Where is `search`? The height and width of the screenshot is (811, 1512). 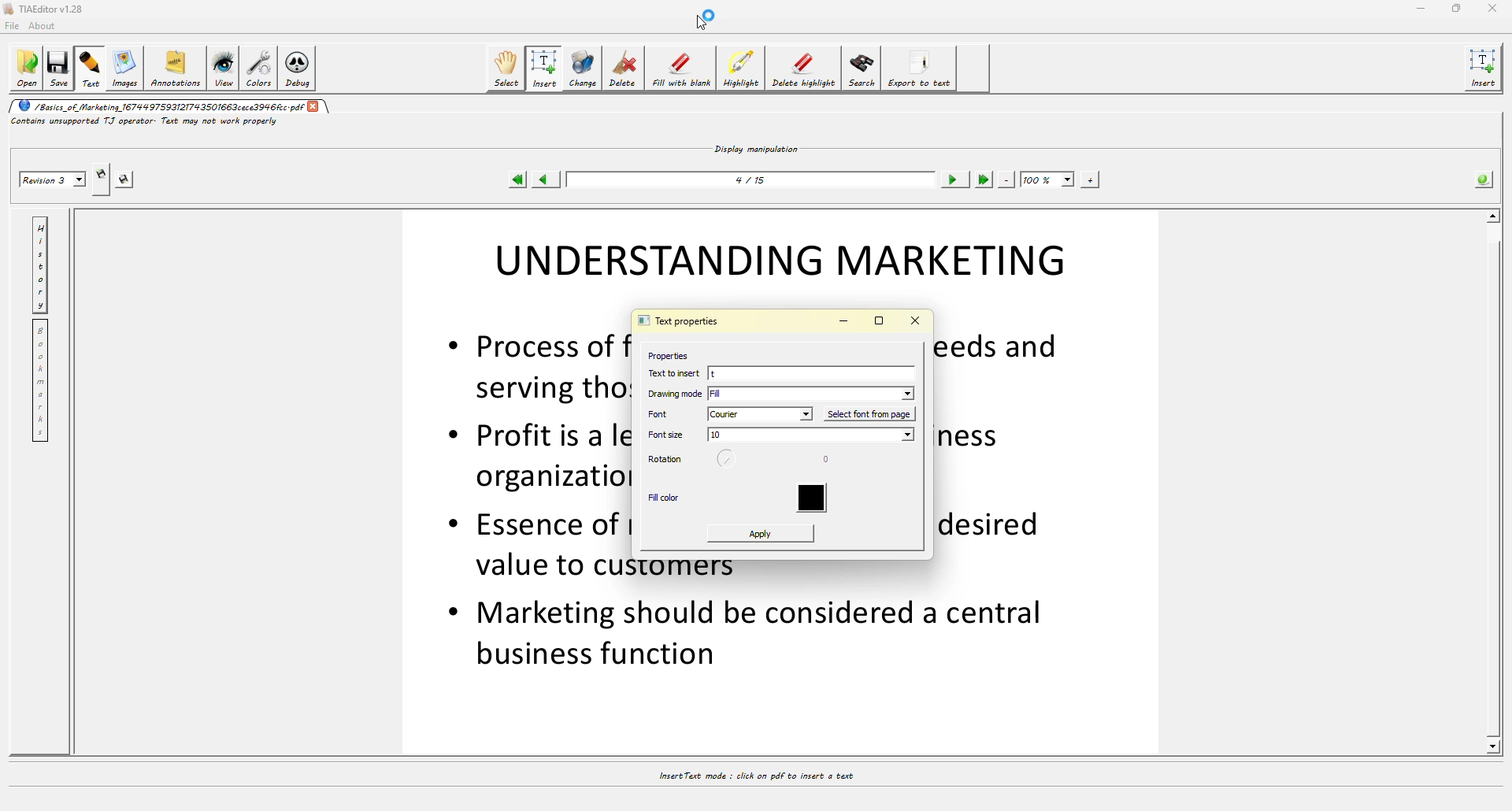
search is located at coordinates (862, 70).